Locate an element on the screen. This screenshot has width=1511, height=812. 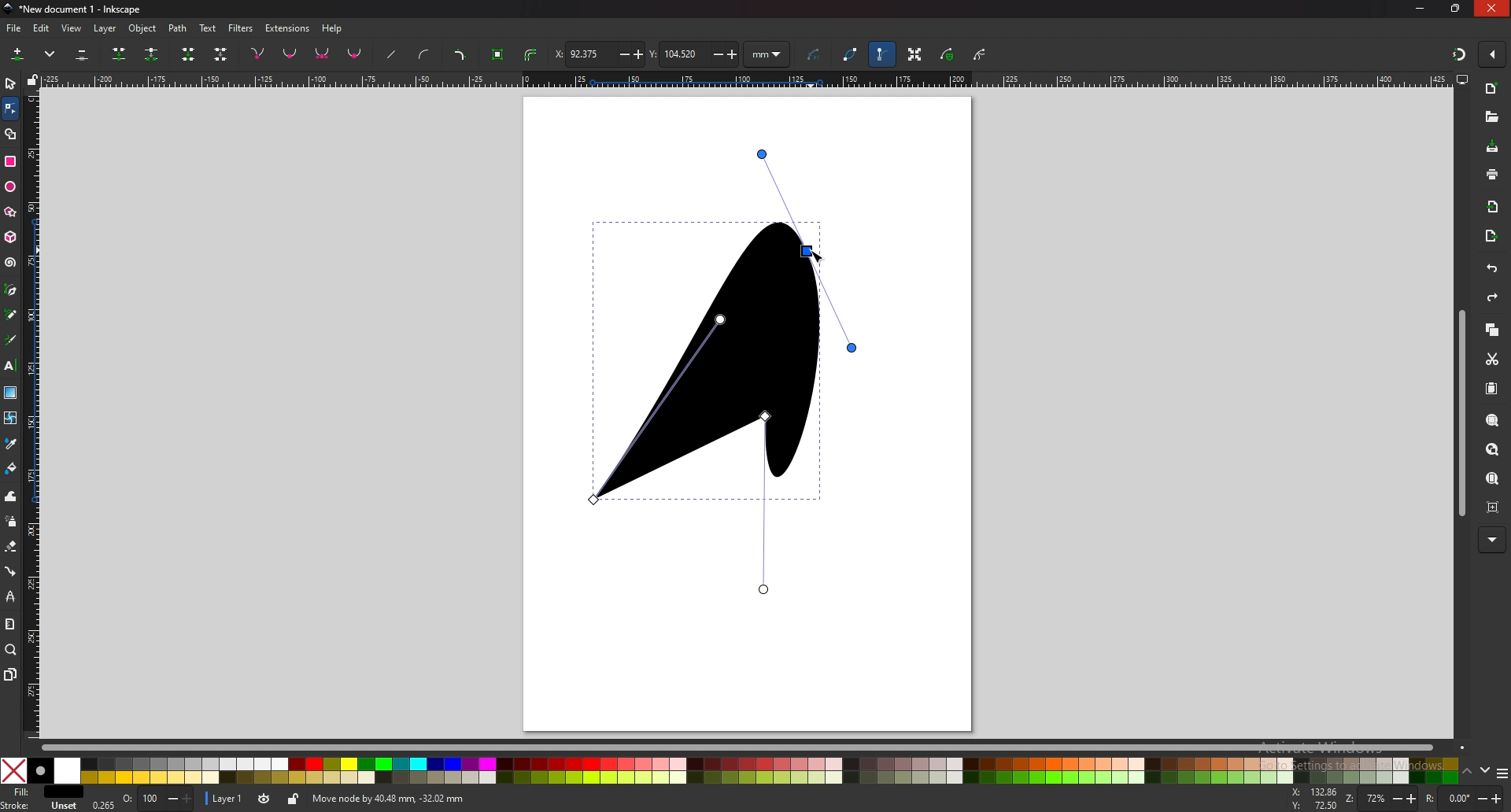
pen is located at coordinates (11, 290).